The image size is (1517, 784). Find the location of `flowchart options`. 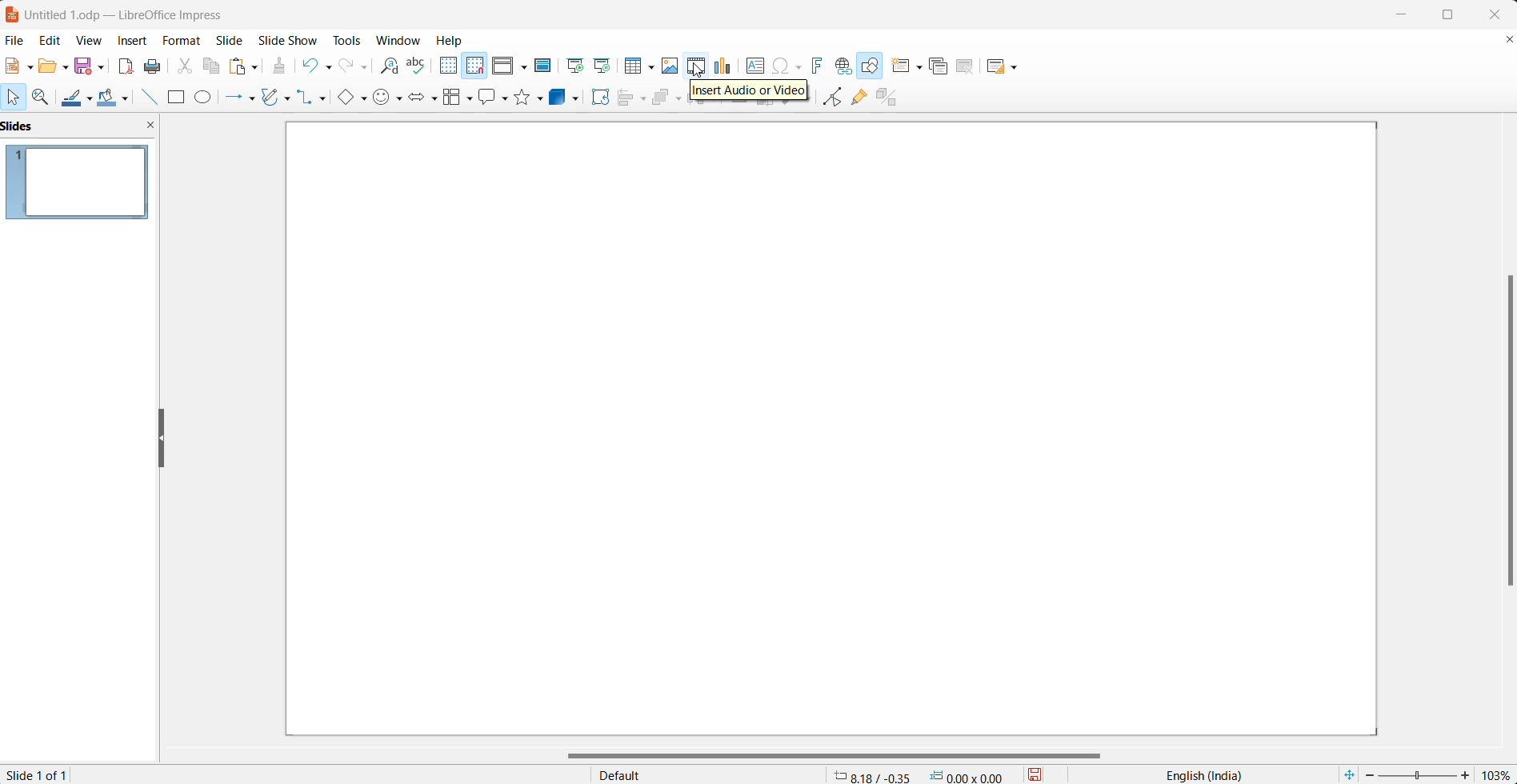

flowchart options is located at coordinates (469, 100).